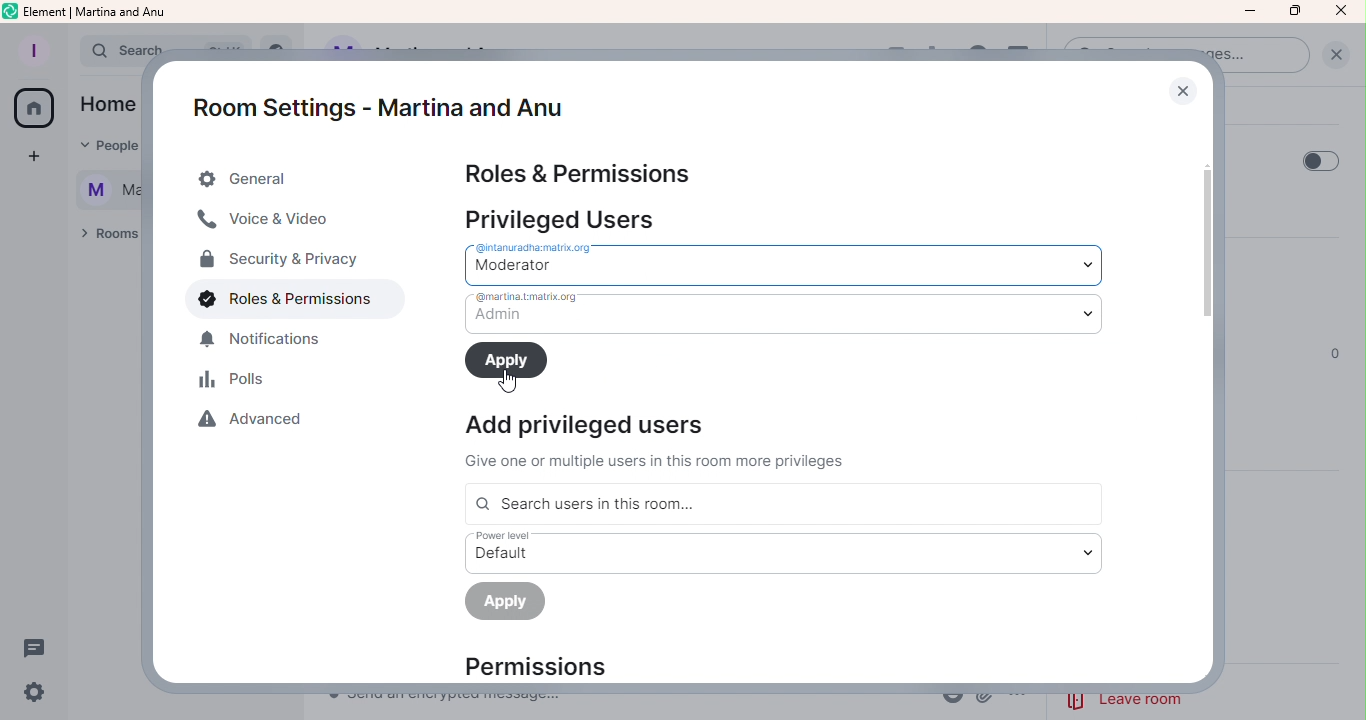  What do you see at coordinates (259, 424) in the screenshot?
I see `Advanced` at bounding box center [259, 424].